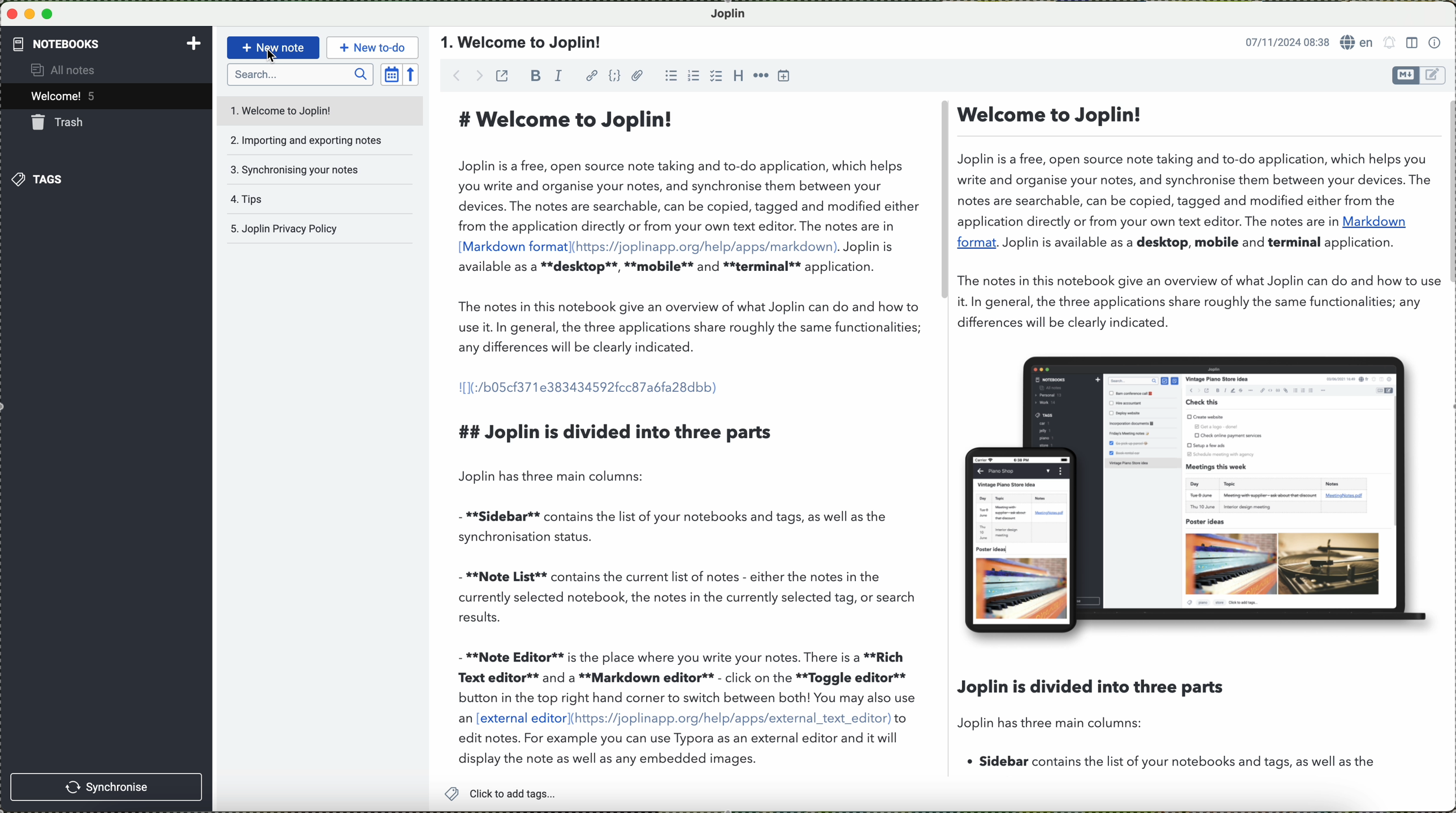  I want to click on checkbox, so click(714, 76).